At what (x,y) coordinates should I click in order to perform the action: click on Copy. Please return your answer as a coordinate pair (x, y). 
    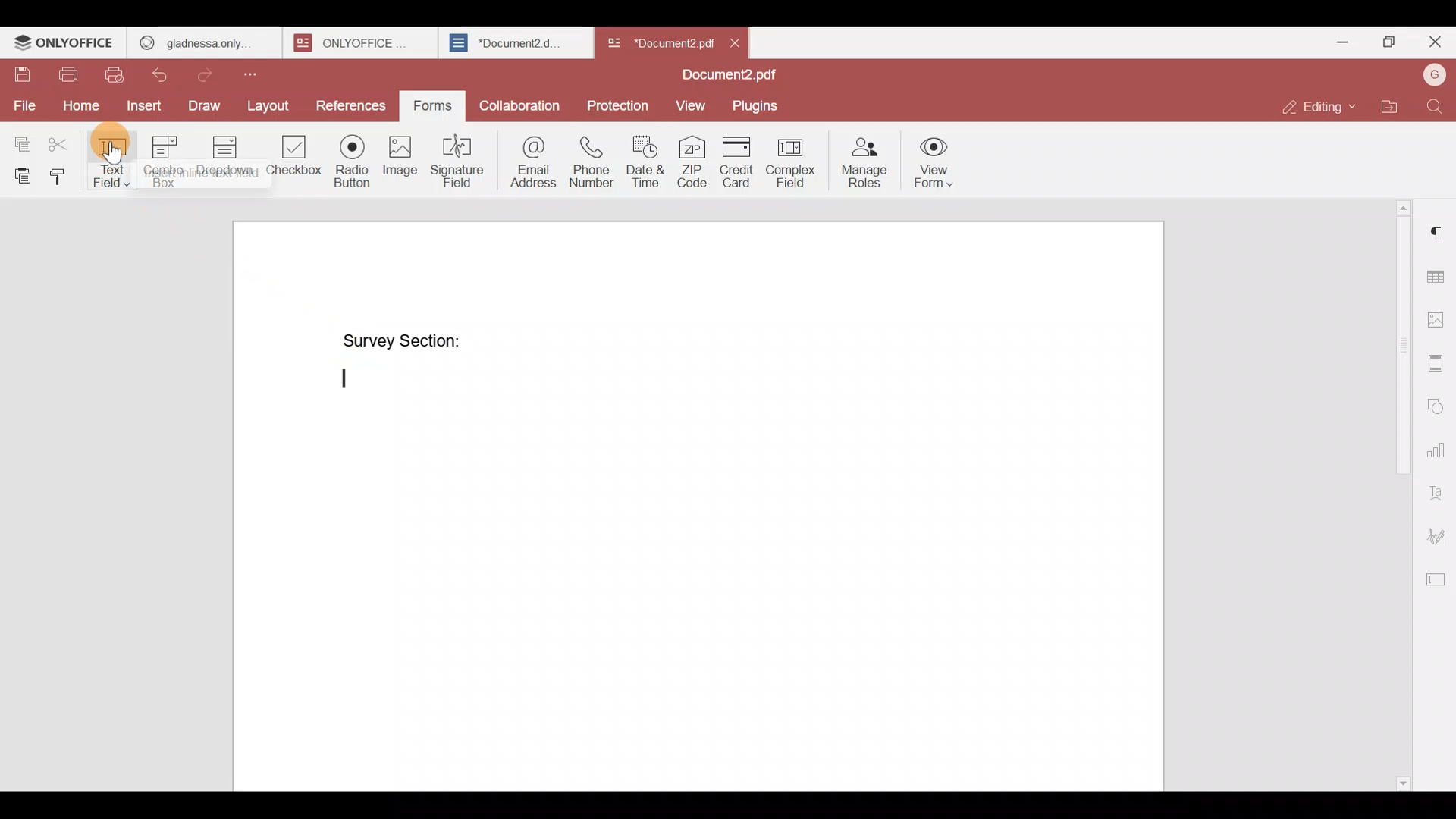
    Looking at the image, I should click on (22, 137).